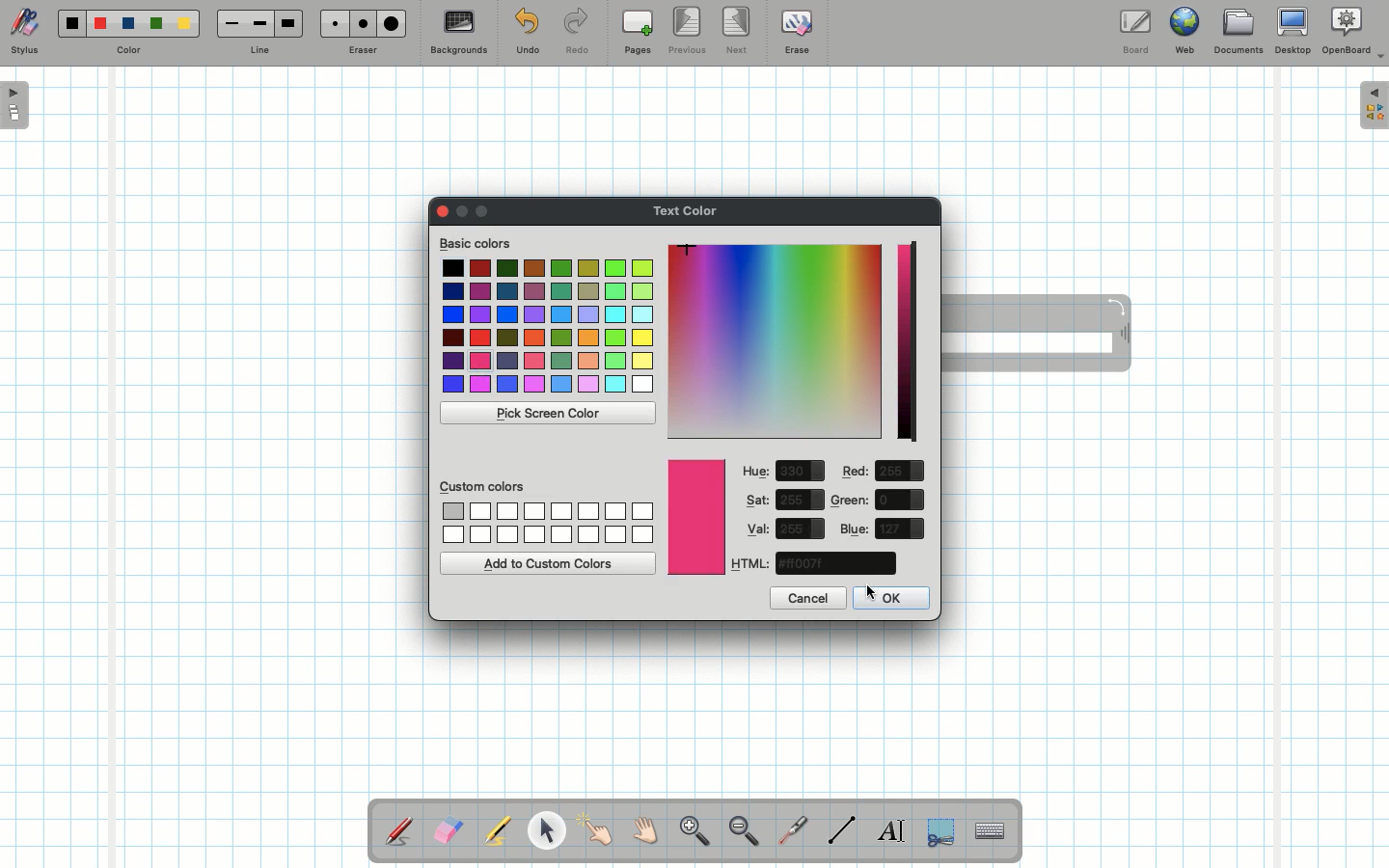 This screenshot has width=1389, height=868. Describe the element at coordinates (851, 501) in the screenshot. I see `Green` at that location.